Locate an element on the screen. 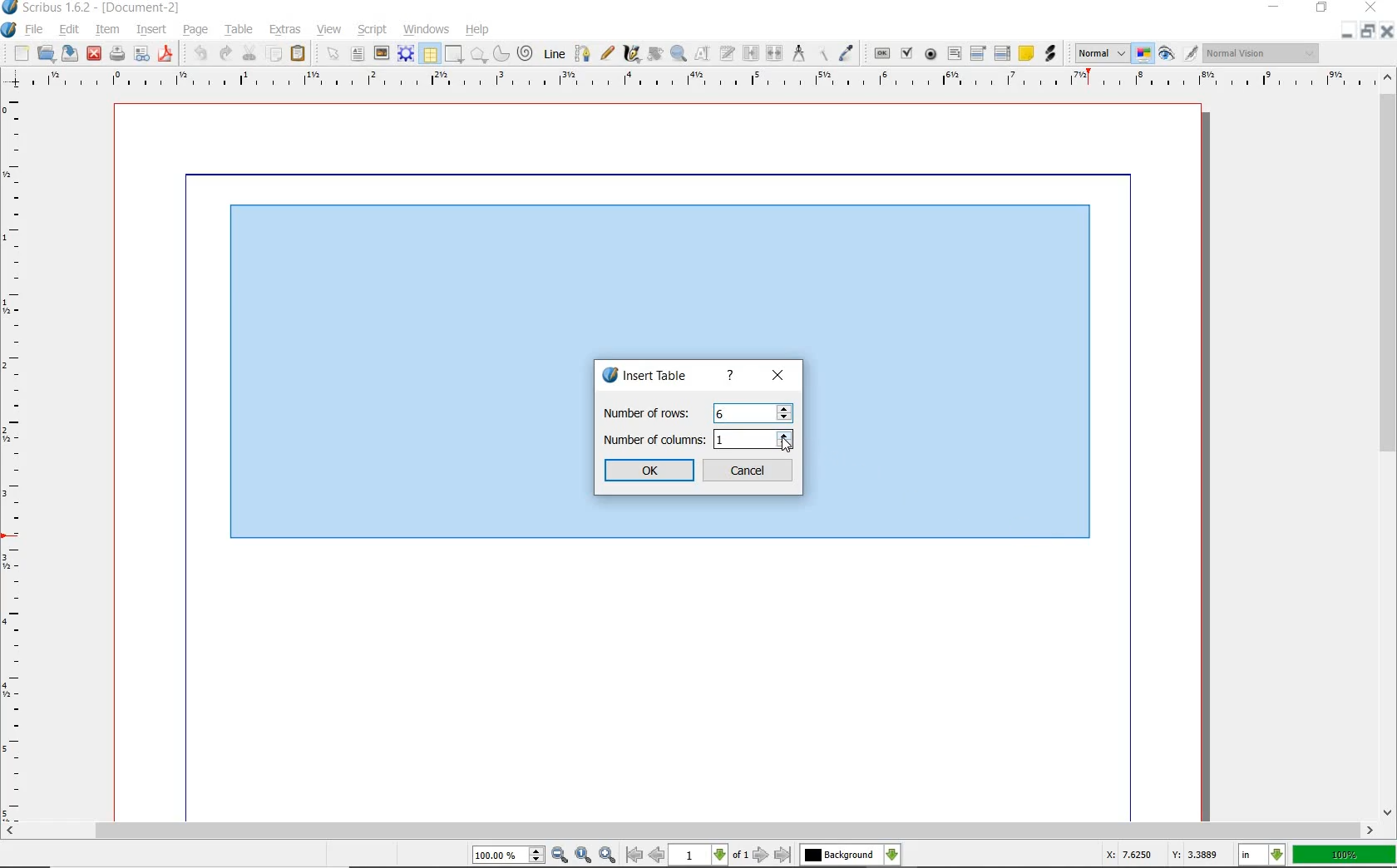  extras is located at coordinates (284, 30).